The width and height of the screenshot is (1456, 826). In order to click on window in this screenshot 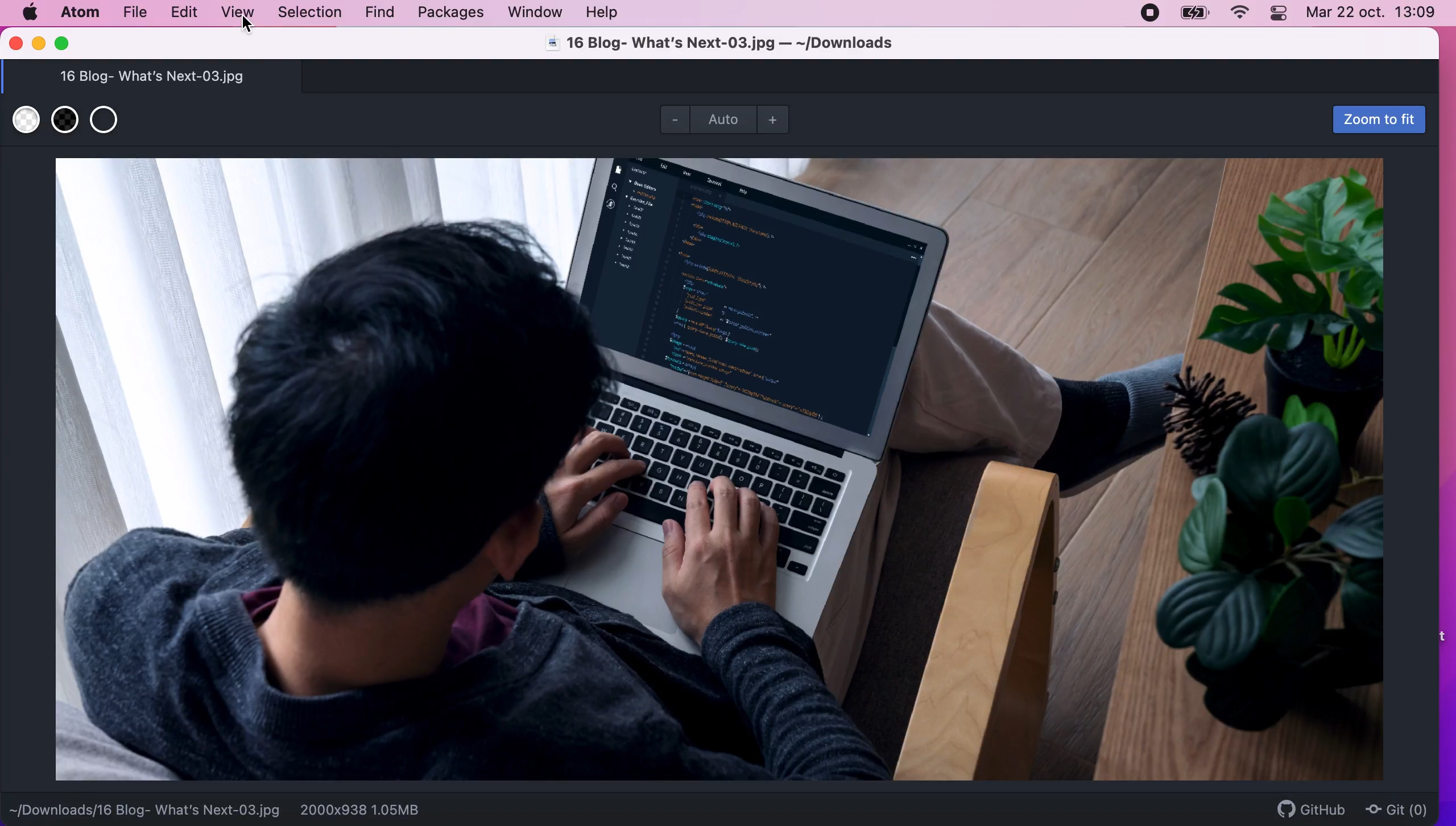, I will do `click(535, 13)`.